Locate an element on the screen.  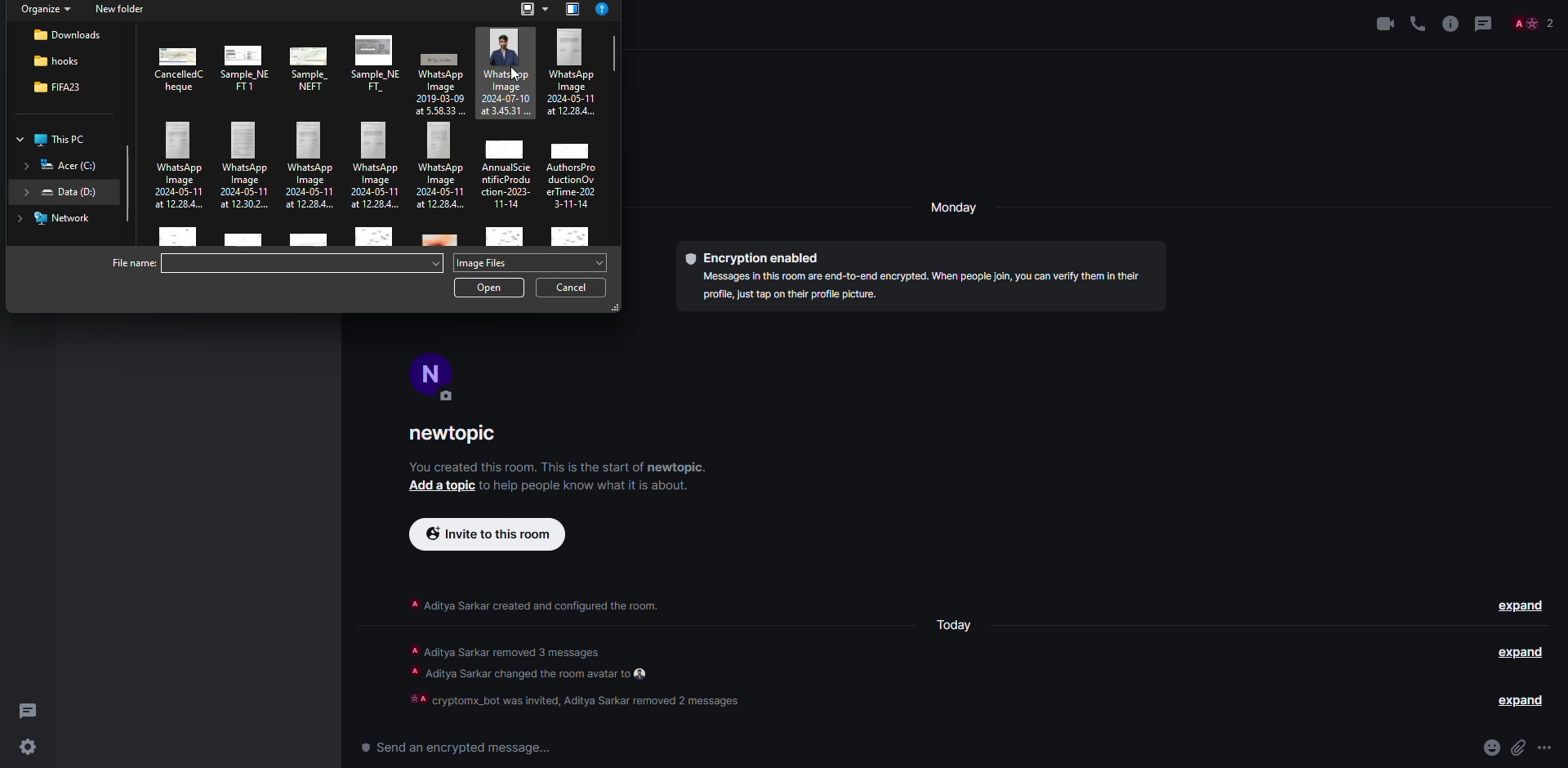
room is located at coordinates (458, 435).